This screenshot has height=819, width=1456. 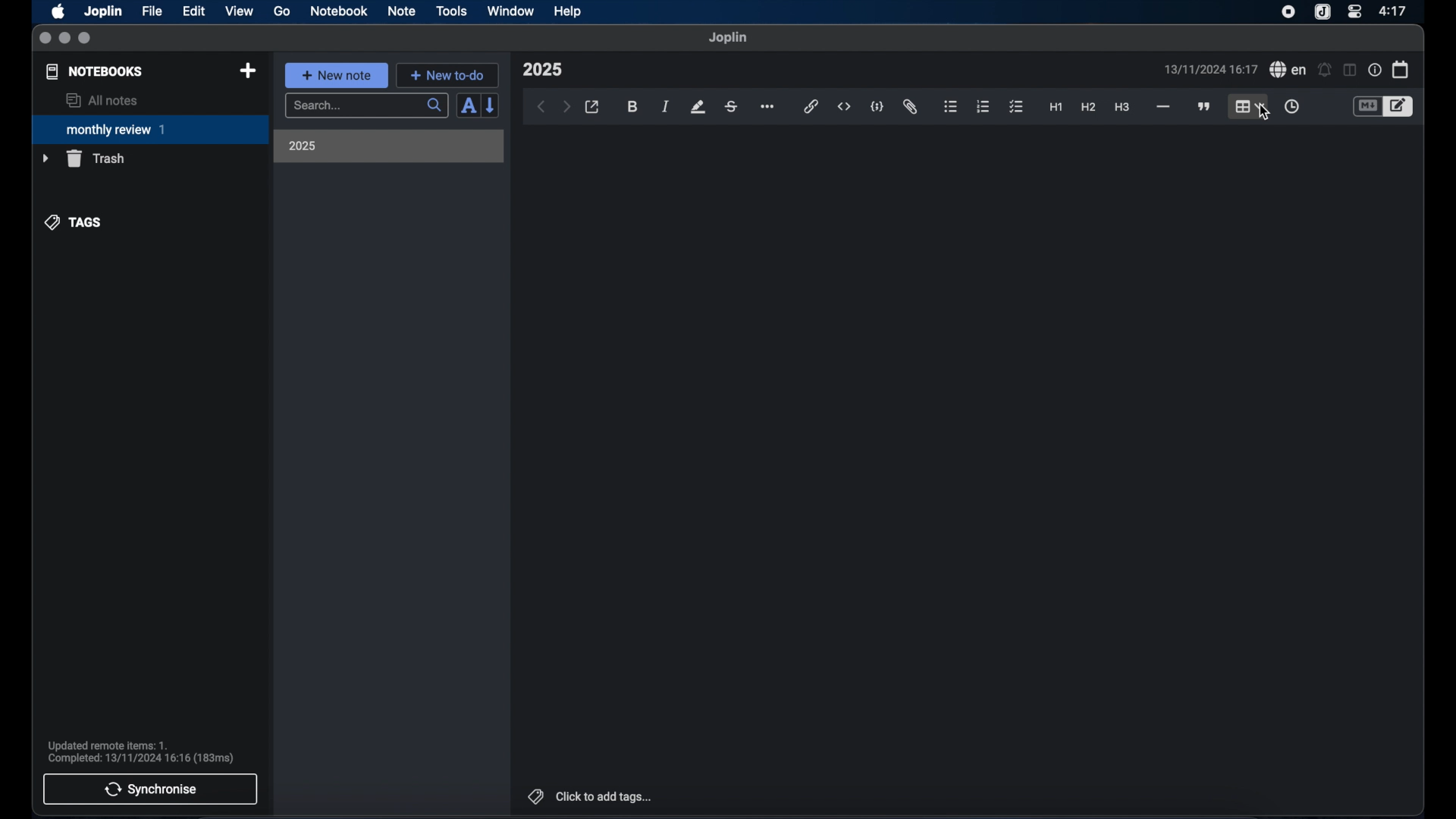 What do you see at coordinates (402, 11) in the screenshot?
I see `note` at bounding box center [402, 11].